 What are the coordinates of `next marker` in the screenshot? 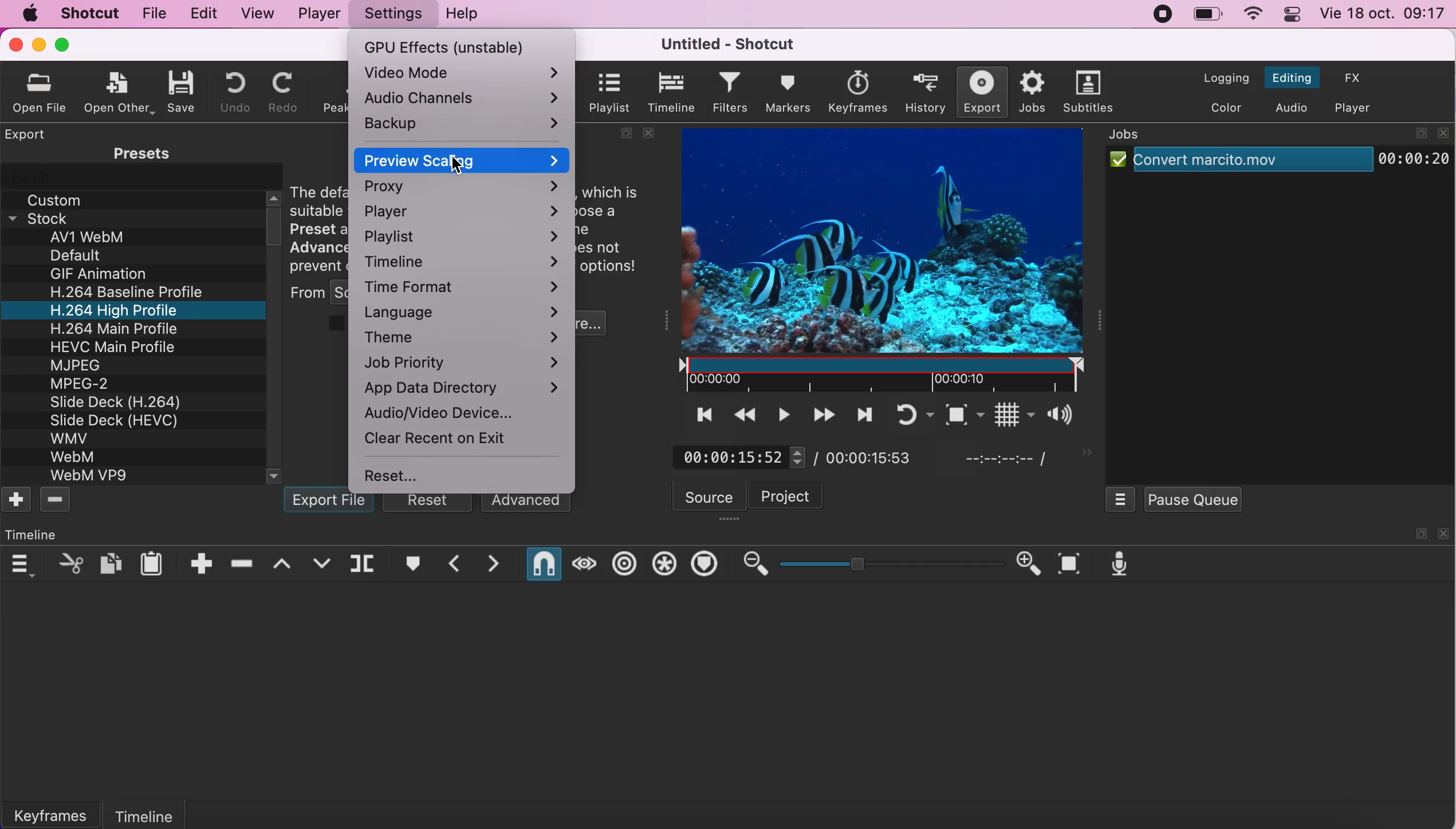 It's located at (494, 564).